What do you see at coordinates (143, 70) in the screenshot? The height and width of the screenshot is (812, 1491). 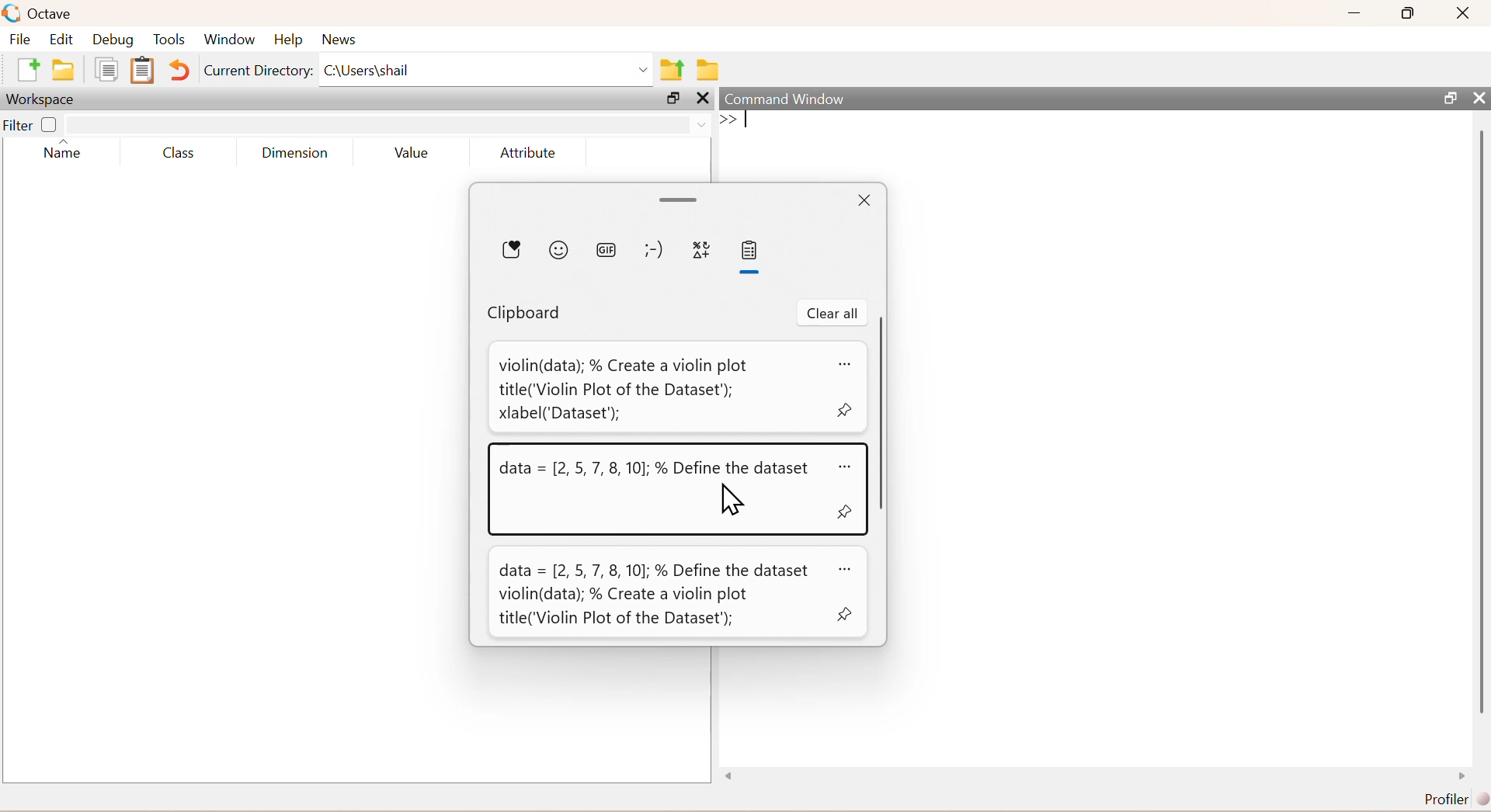 I see `Clipboard` at bounding box center [143, 70].